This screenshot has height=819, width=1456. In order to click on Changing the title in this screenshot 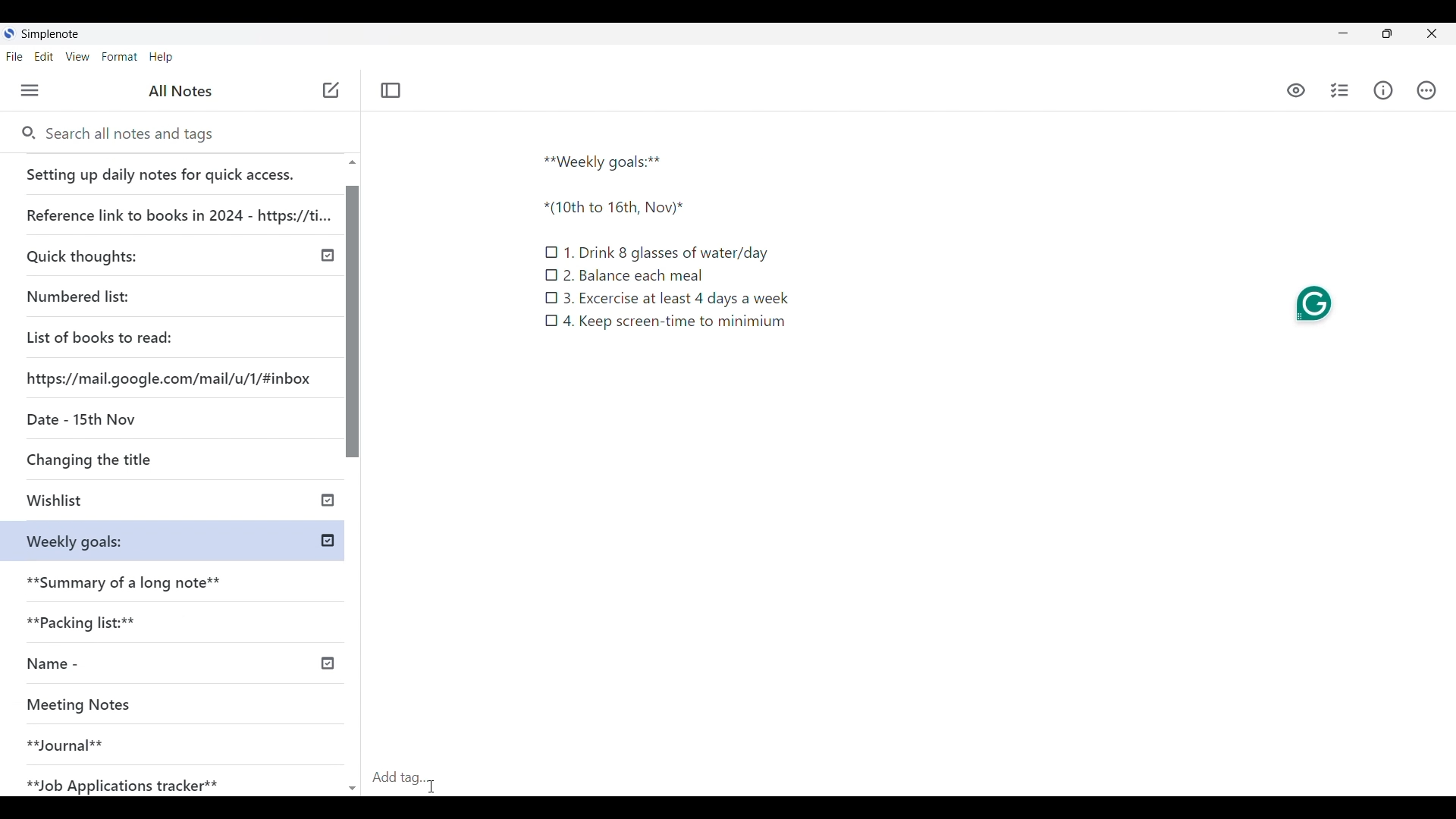, I will do `click(121, 459)`.